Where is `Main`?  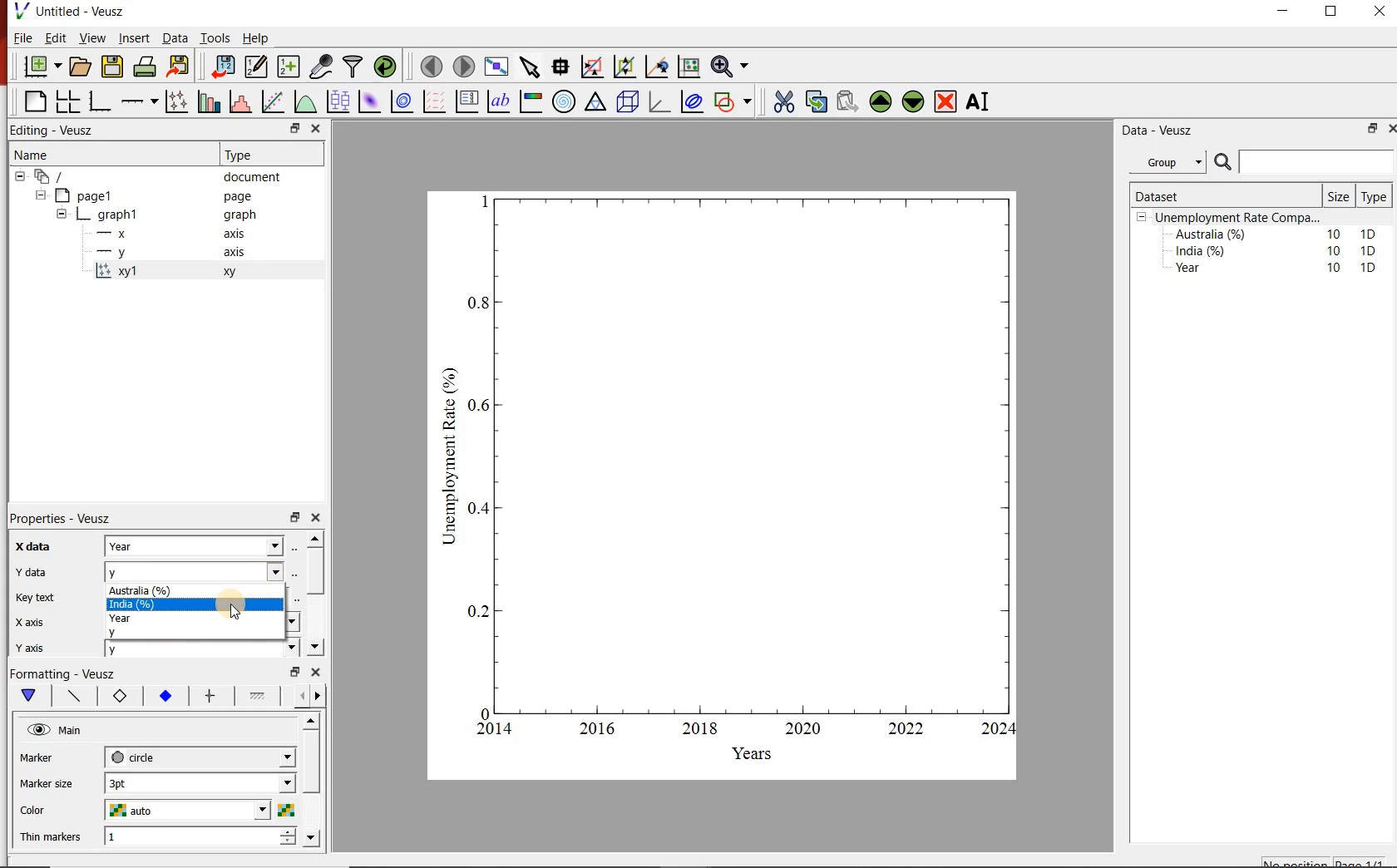
Main is located at coordinates (72, 731).